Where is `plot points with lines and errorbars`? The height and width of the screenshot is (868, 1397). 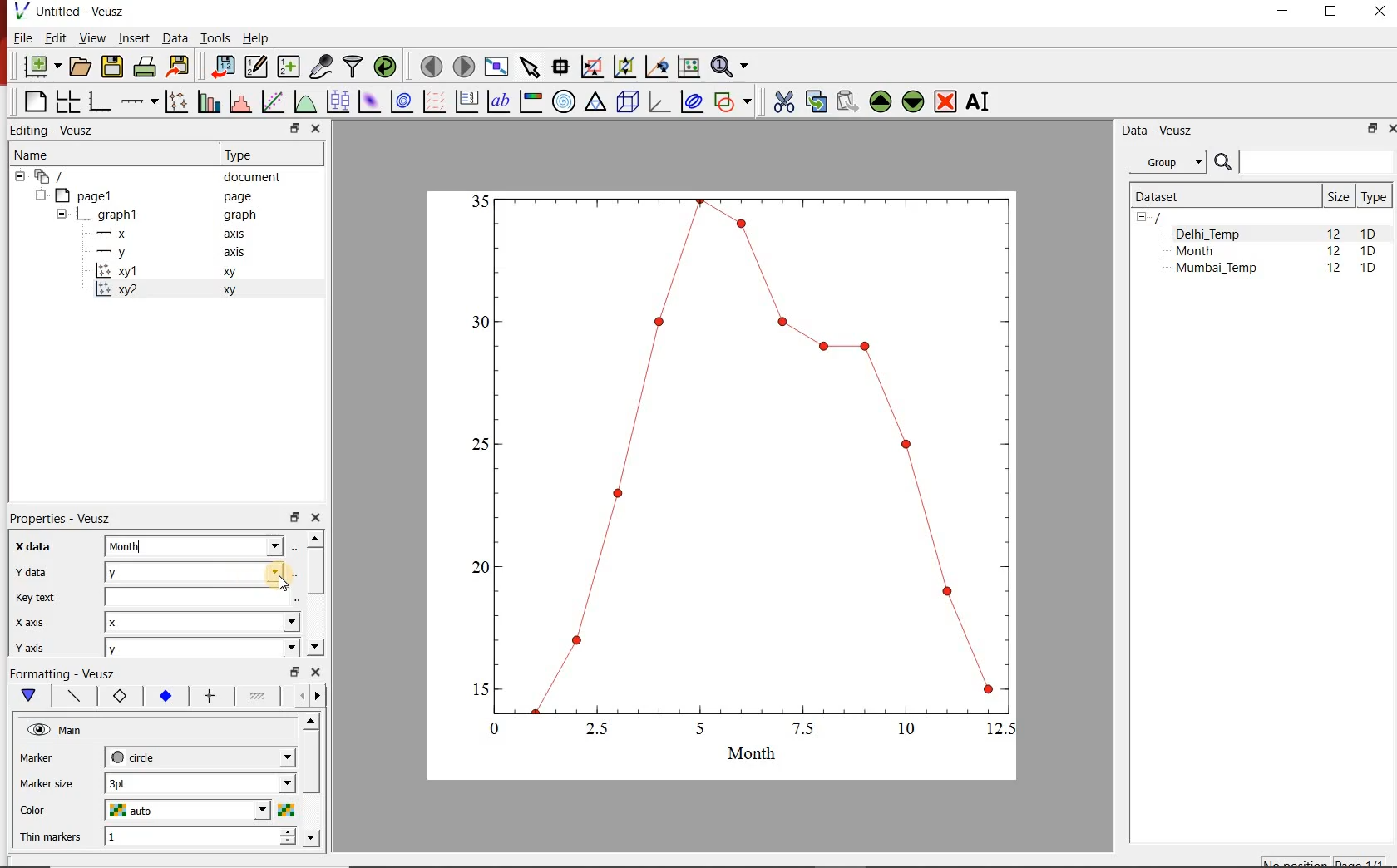
plot points with lines and errorbars is located at coordinates (175, 102).